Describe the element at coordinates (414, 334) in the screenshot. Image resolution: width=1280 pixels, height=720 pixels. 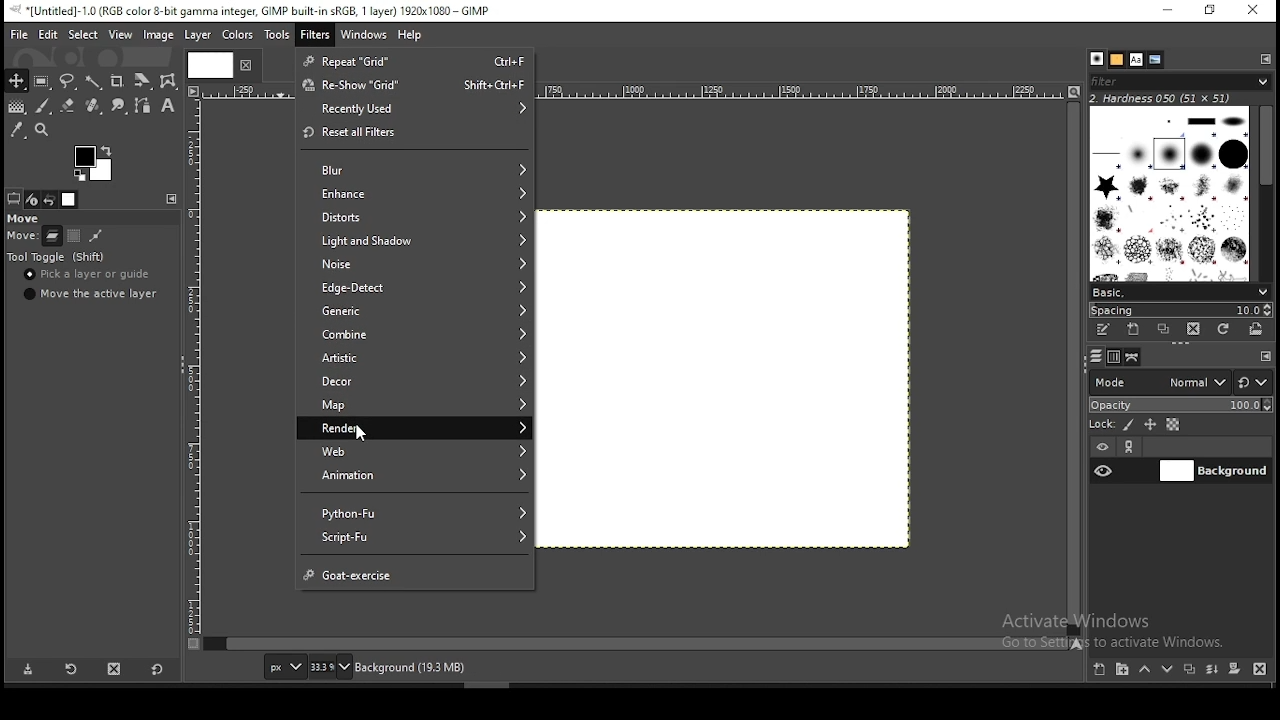
I see `combine` at that location.